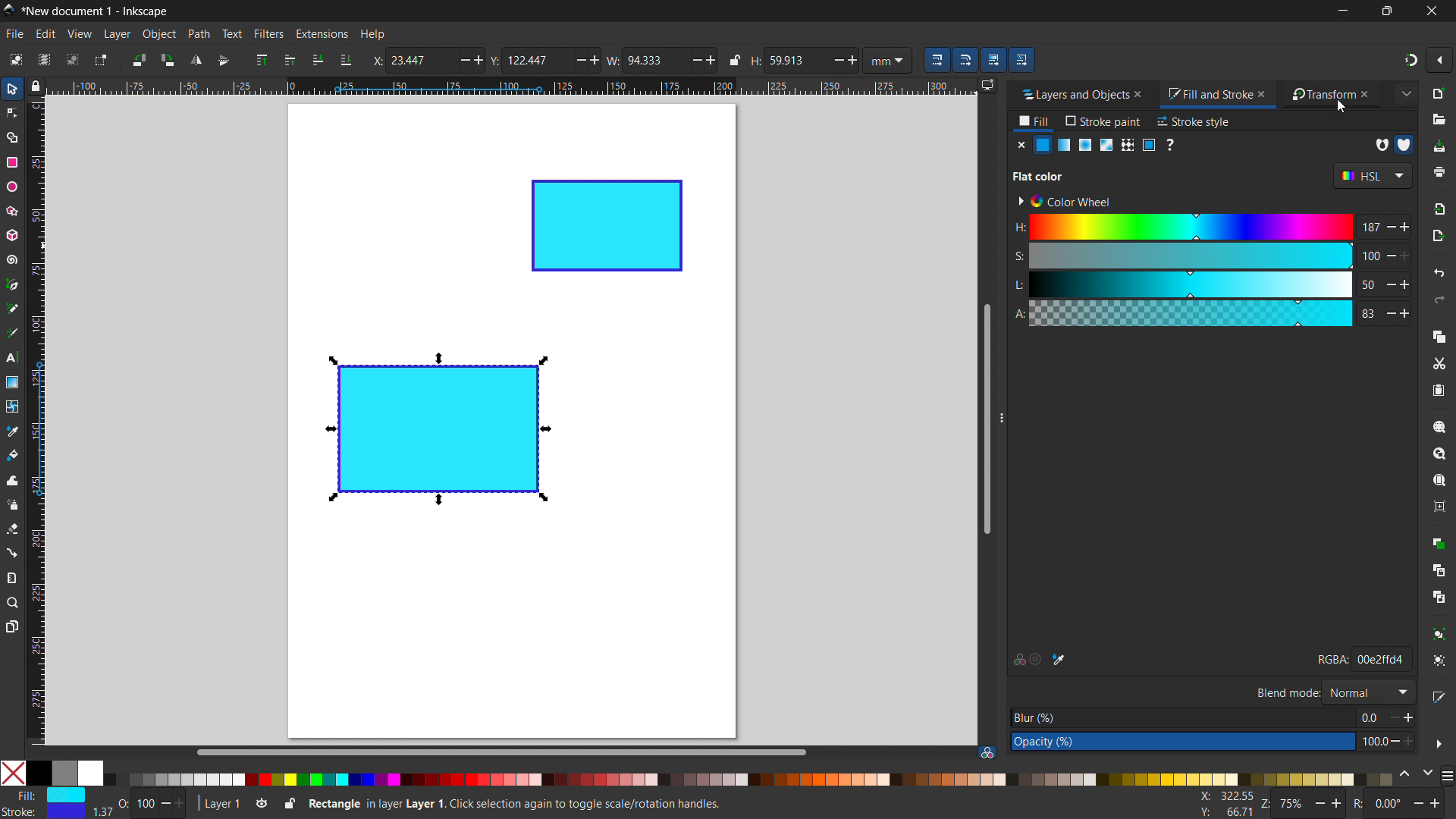 Image resolution: width=1456 pixels, height=819 pixels. What do you see at coordinates (853, 58) in the screenshot?
I see `Add/ increase` at bounding box center [853, 58].